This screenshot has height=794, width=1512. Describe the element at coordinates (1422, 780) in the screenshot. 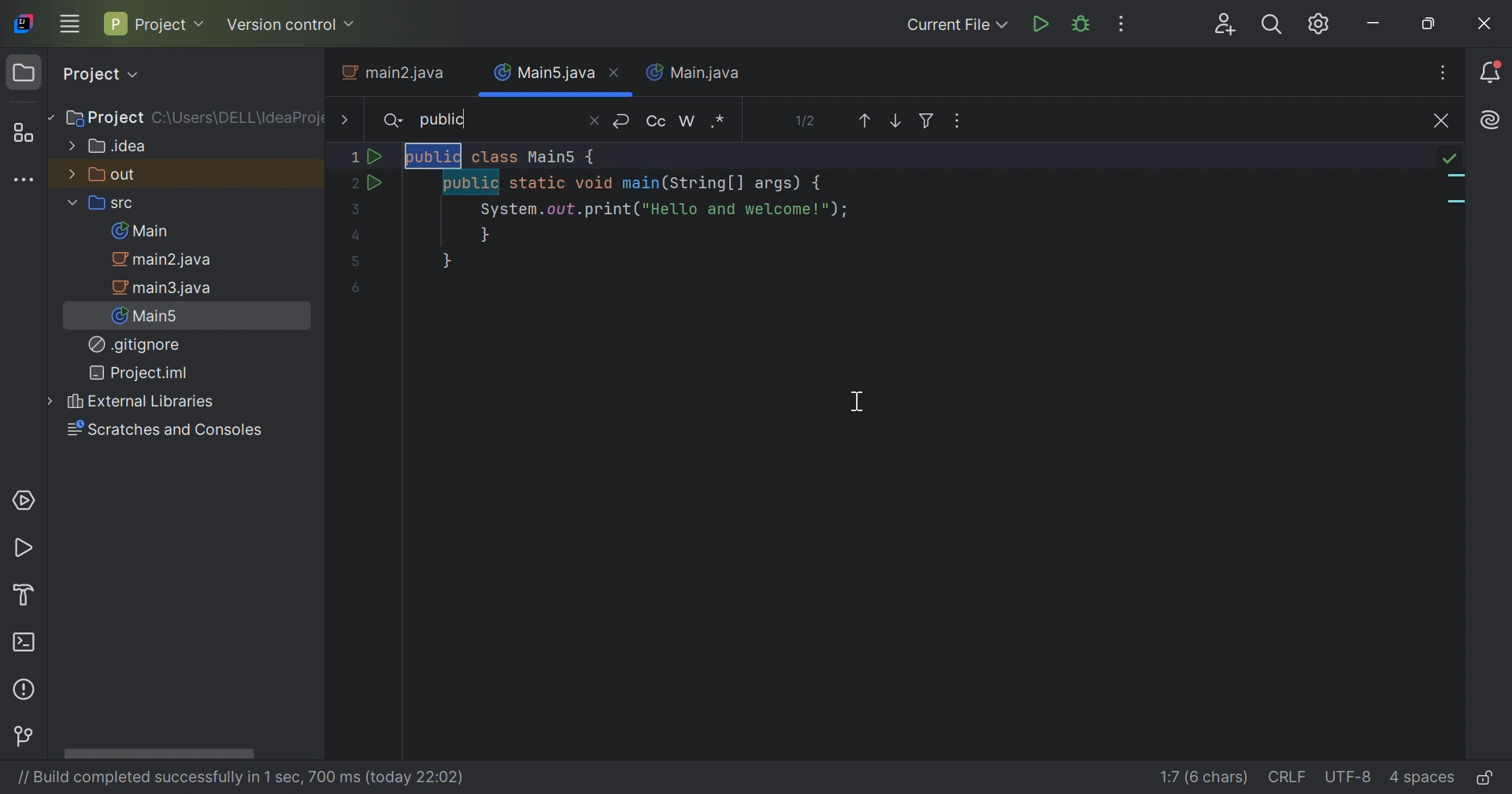

I see `indent: 4 spaces` at that location.